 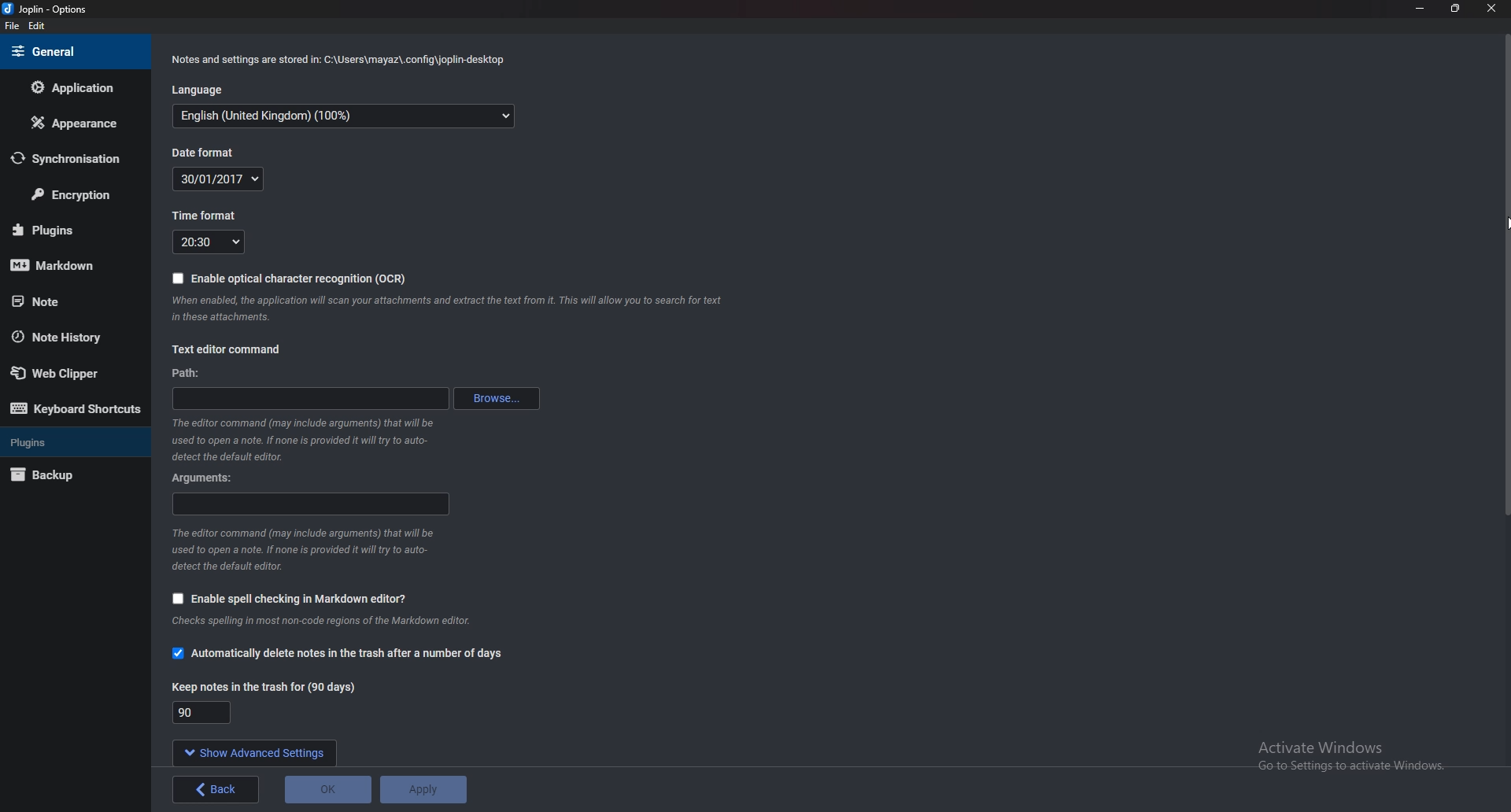 I want to click on Synchronization, so click(x=66, y=159).